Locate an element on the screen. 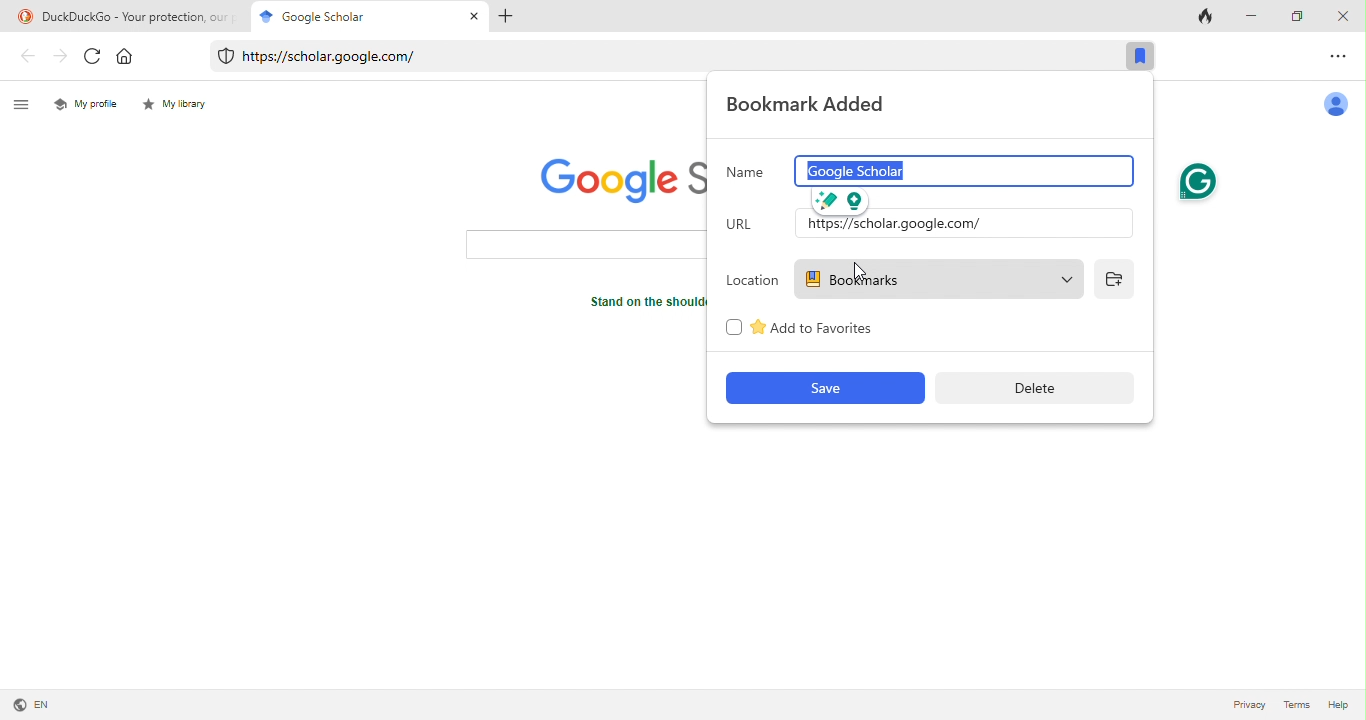 The image size is (1366, 720). privacy is located at coordinates (1249, 707).